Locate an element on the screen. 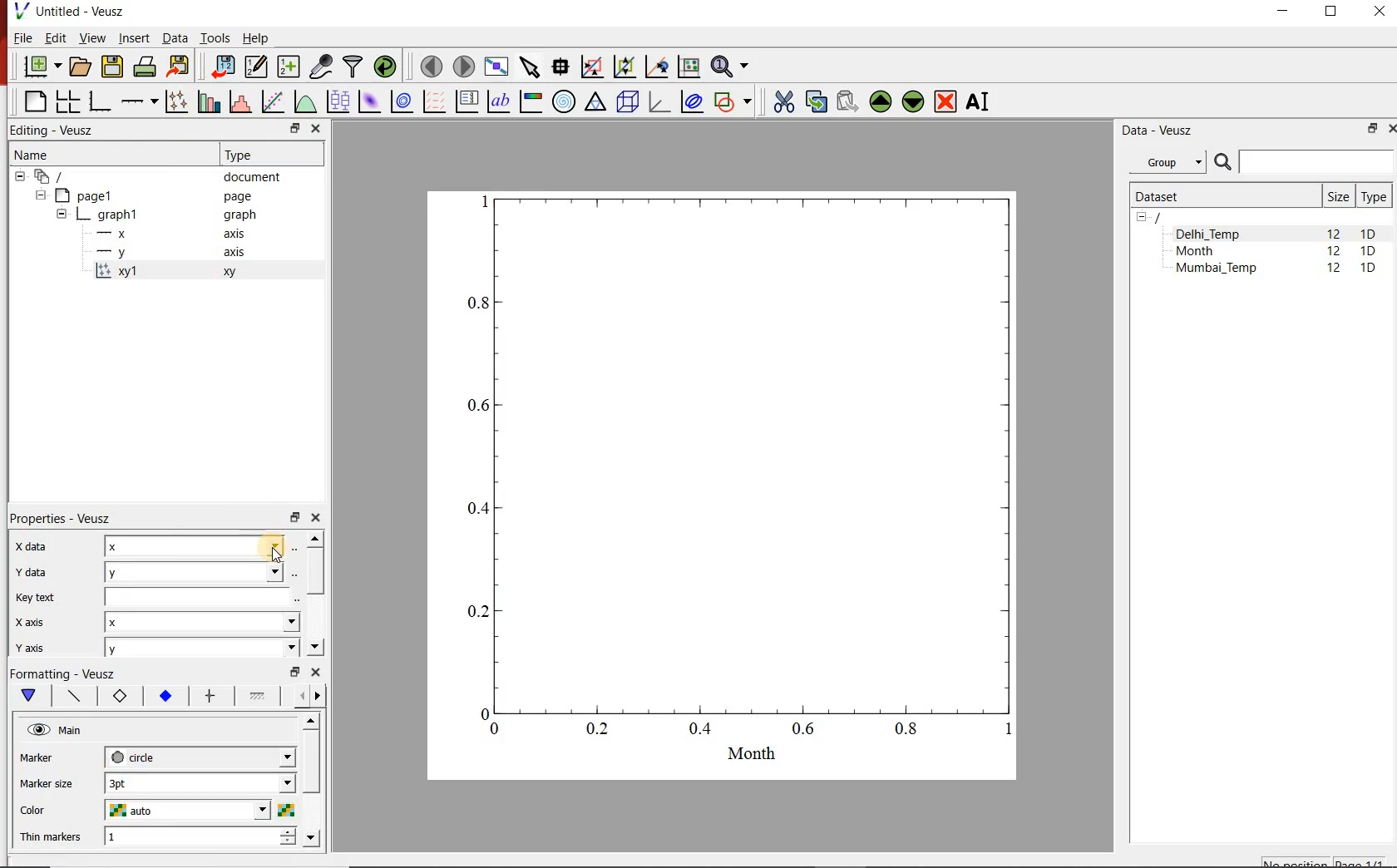 The width and height of the screenshot is (1397, 868). restore is located at coordinates (296, 128).